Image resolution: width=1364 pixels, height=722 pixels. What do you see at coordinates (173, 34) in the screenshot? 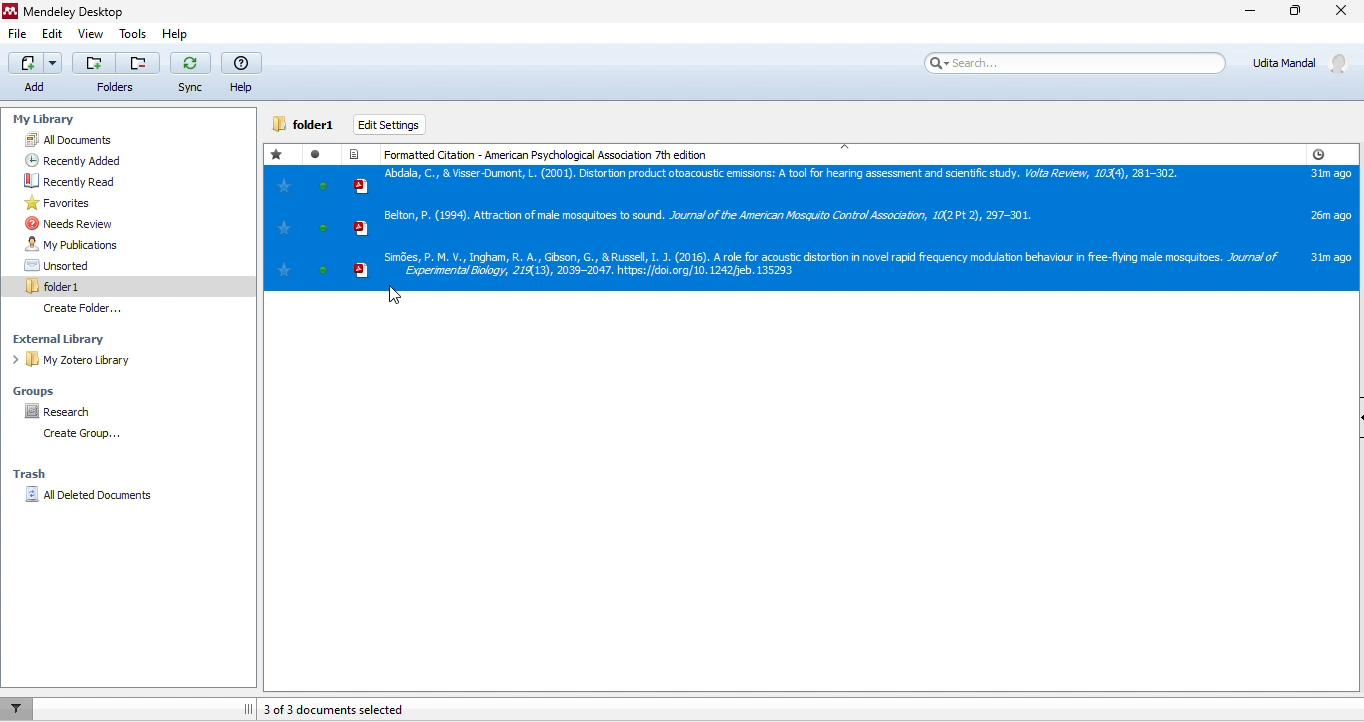
I see `help` at bounding box center [173, 34].